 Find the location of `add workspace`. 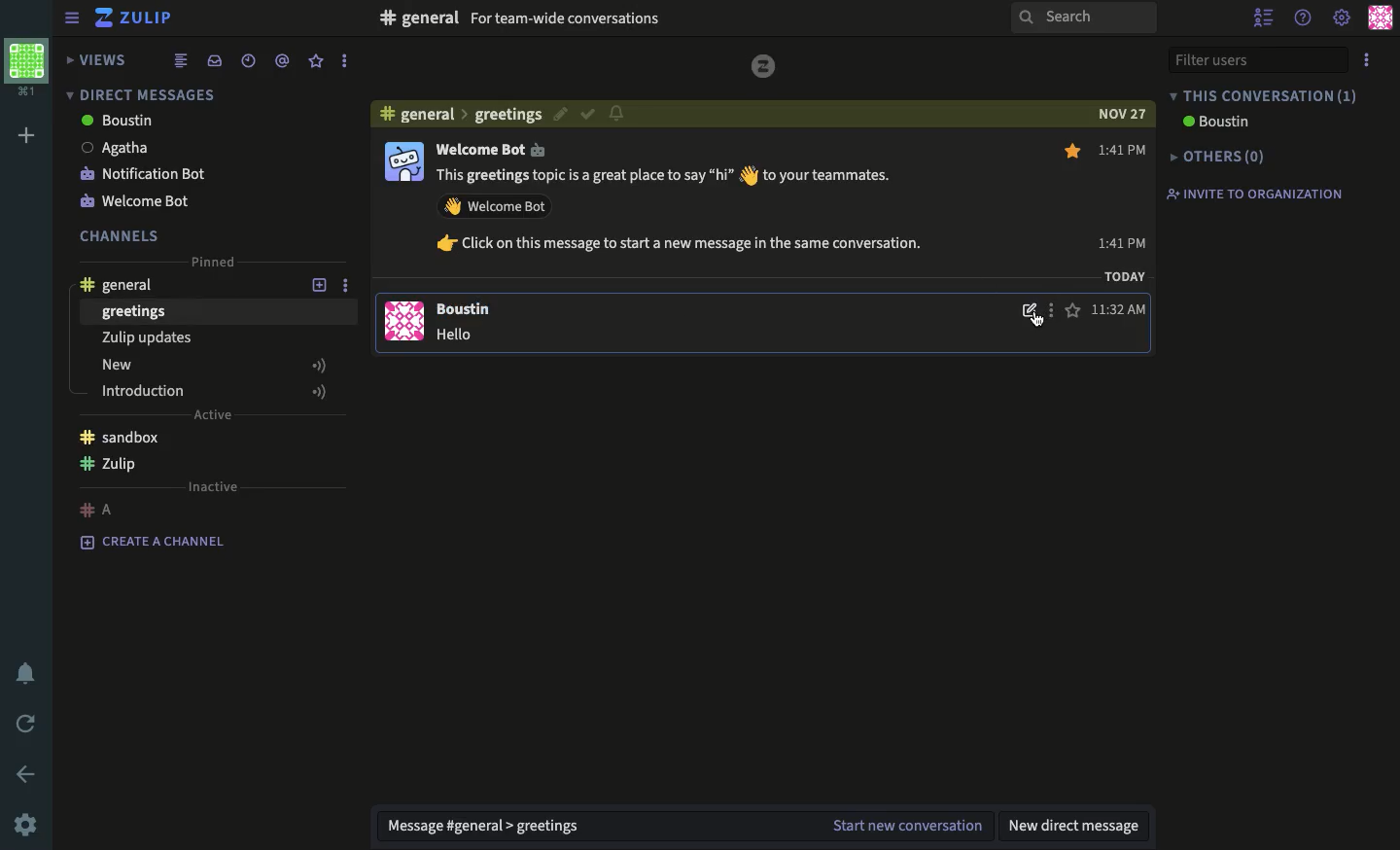

add workspace is located at coordinates (25, 135).